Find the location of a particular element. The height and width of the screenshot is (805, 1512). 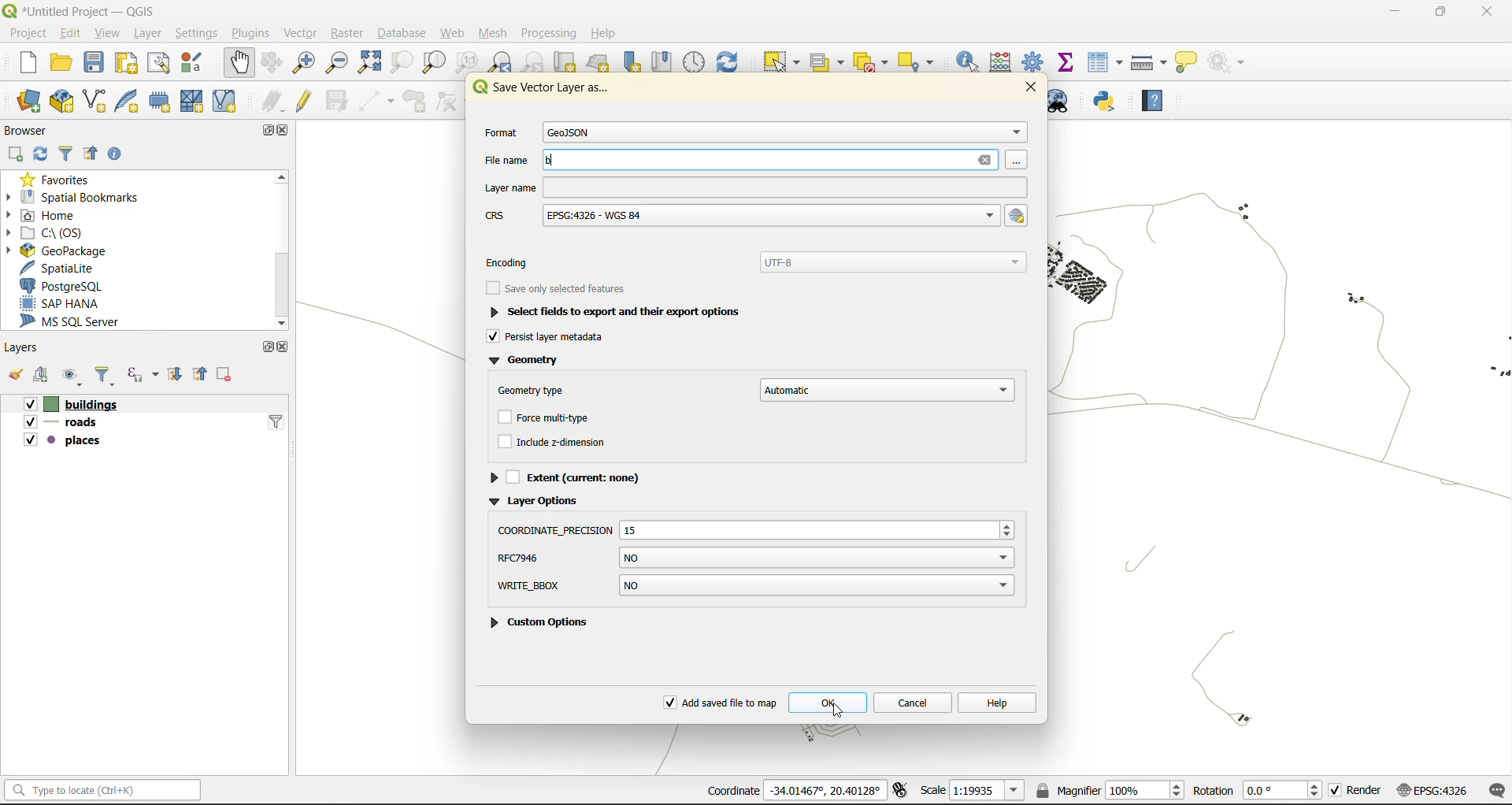

filter is located at coordinates (108, 376).